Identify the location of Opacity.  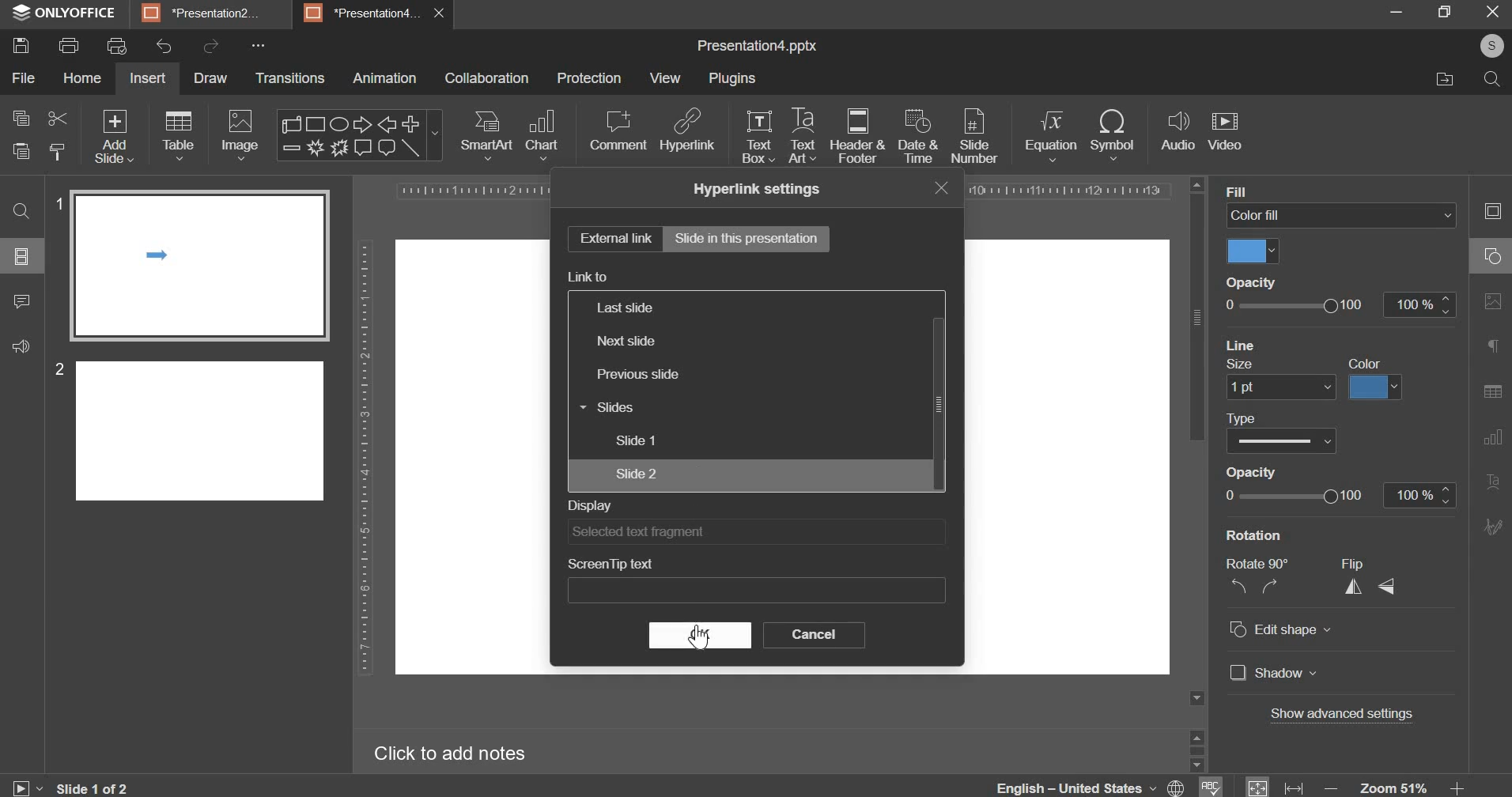
(1249, 283).